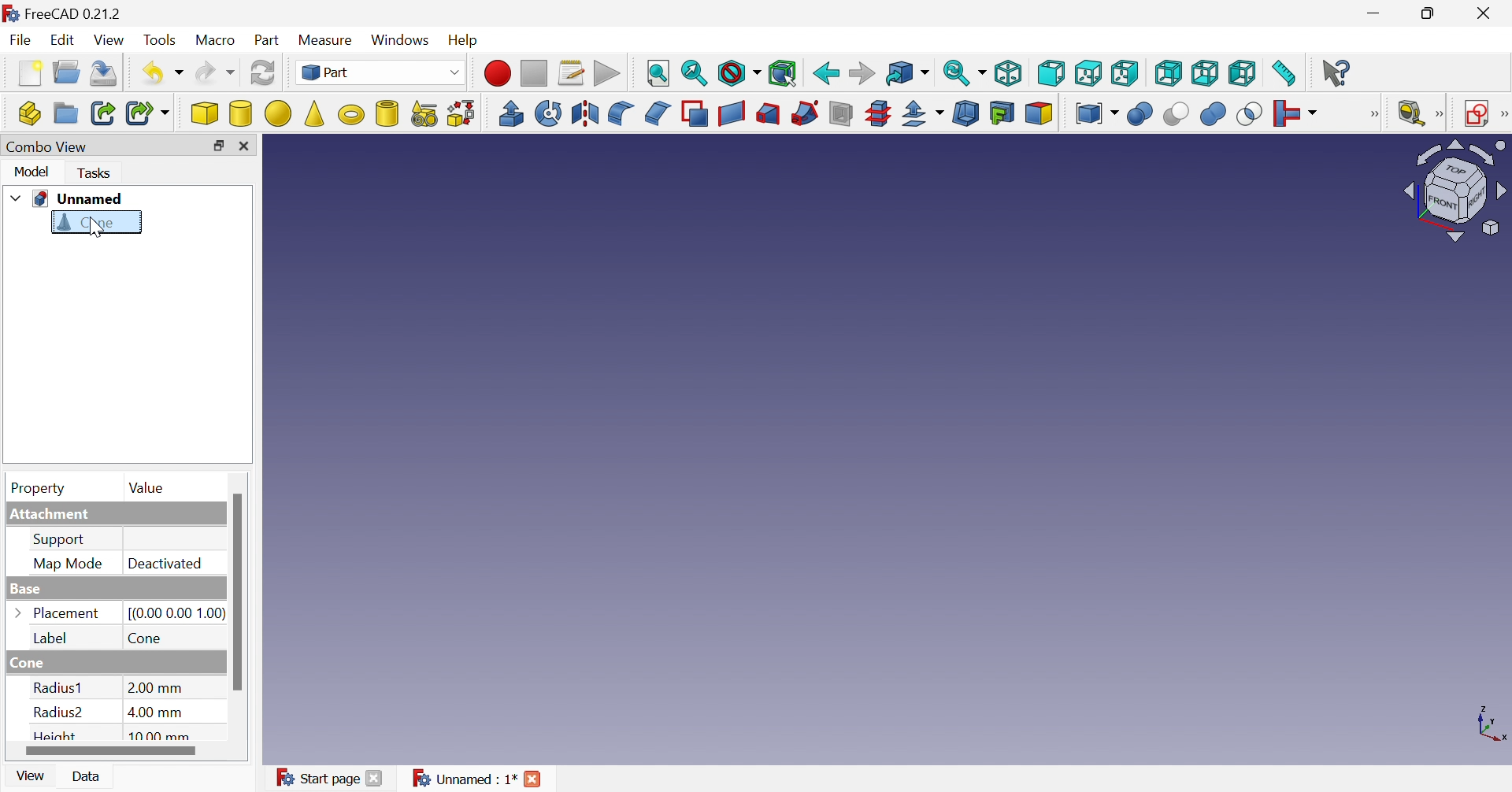 This screenshot has width=1512, height=792. I want to click on [(0.00 0.00 1.00), so click(171, 613).